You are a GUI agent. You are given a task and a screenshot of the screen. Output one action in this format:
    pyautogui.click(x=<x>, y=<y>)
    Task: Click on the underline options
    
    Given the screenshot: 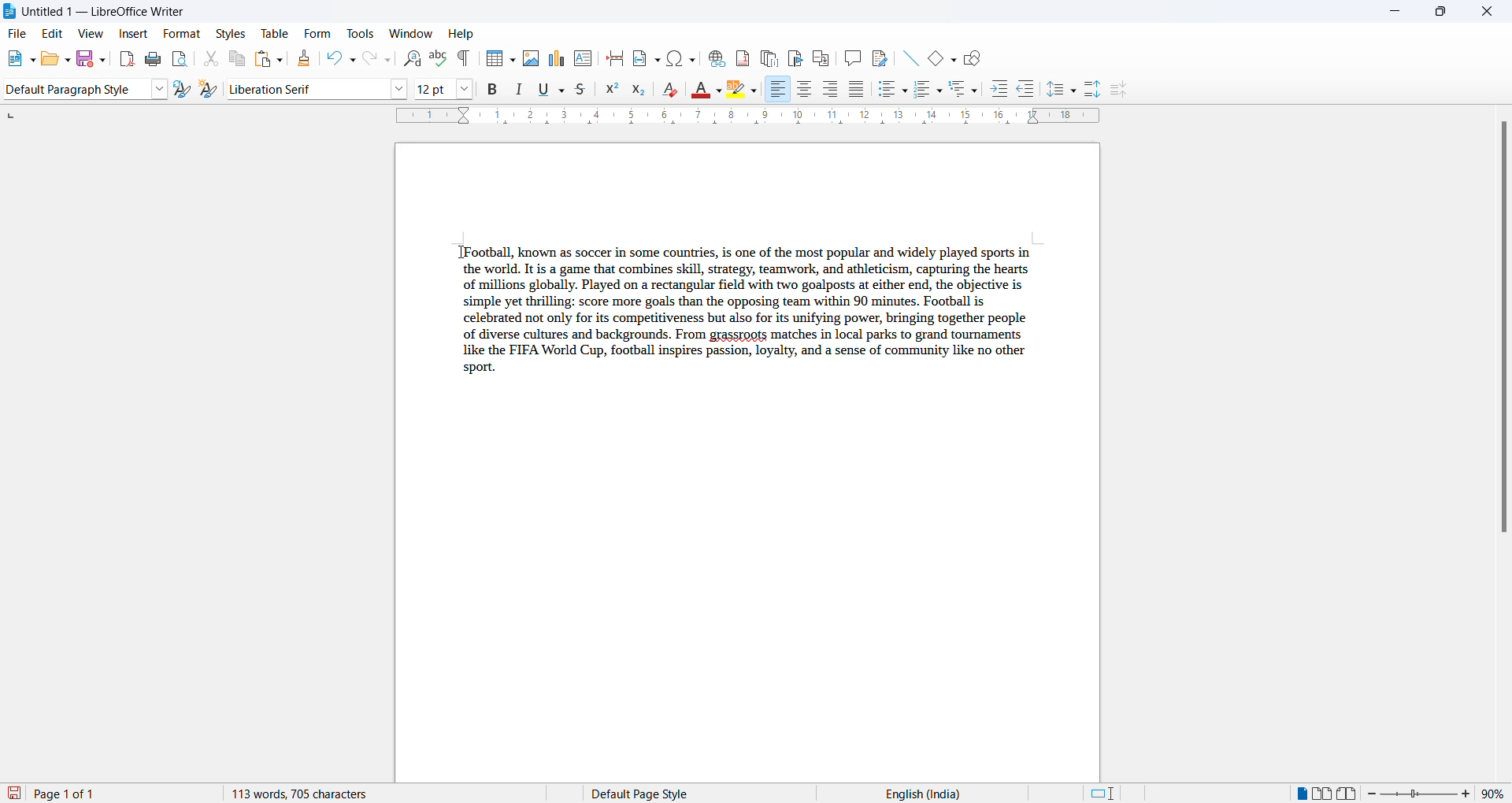 What is the action you would take?
    pyautogui.click(x=561, y=90)
    